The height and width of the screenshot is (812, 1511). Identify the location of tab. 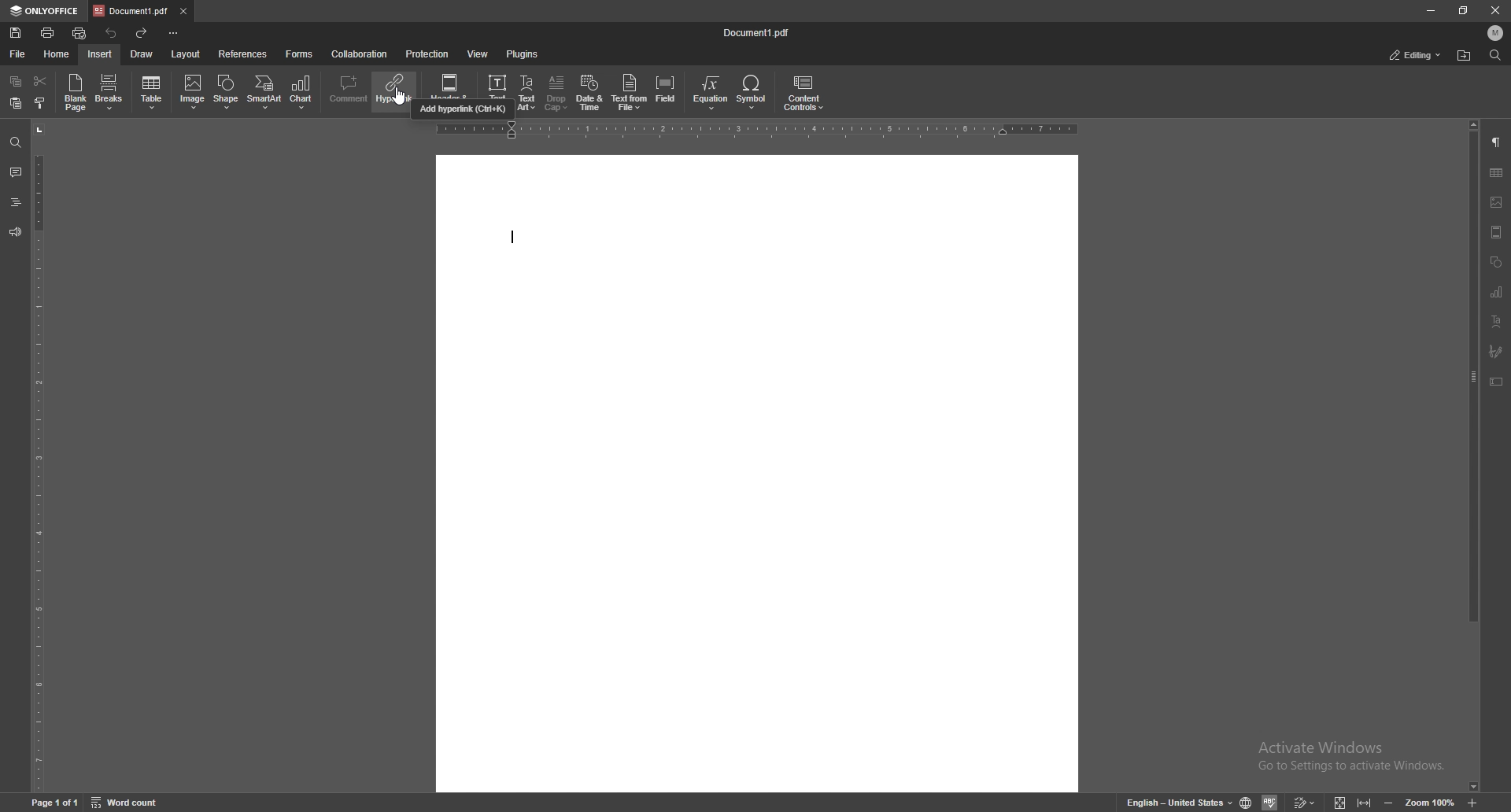
(131, 11).